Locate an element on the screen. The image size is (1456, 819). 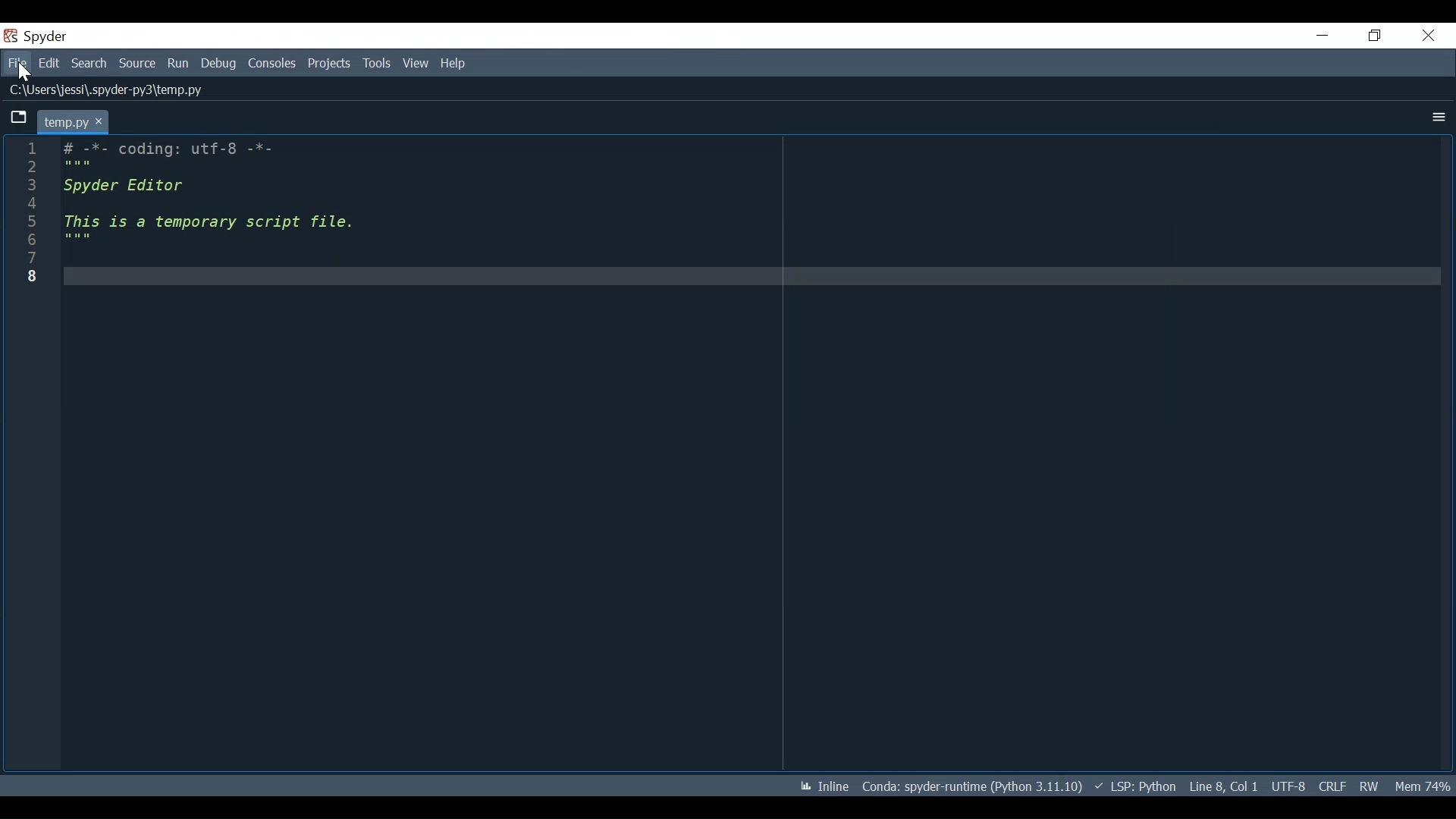
Search is located at coordinates (89, 63).